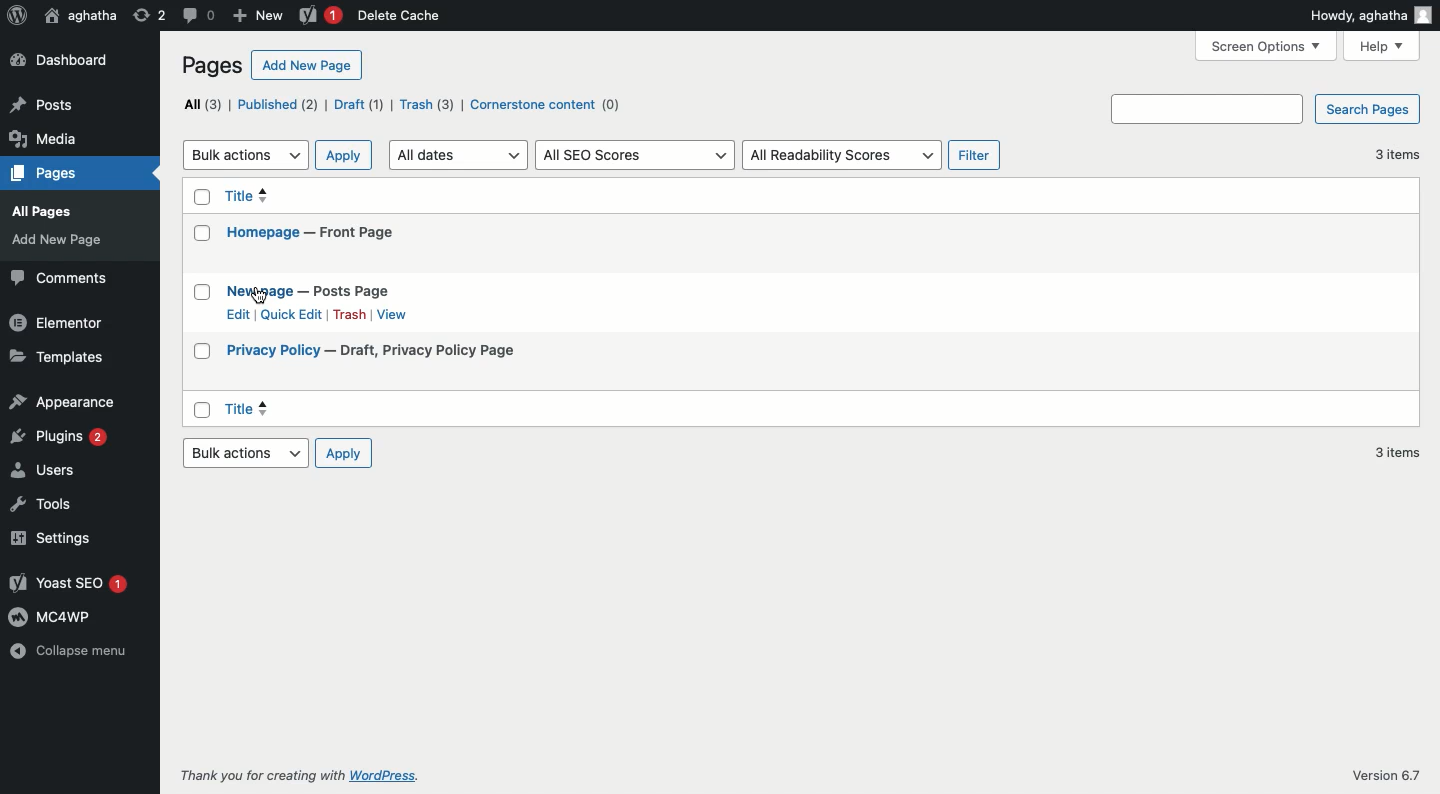  What do you see at coordinates (59, 323) in the screenshot?
I see `Elementor` at bounding box center [59, 323].